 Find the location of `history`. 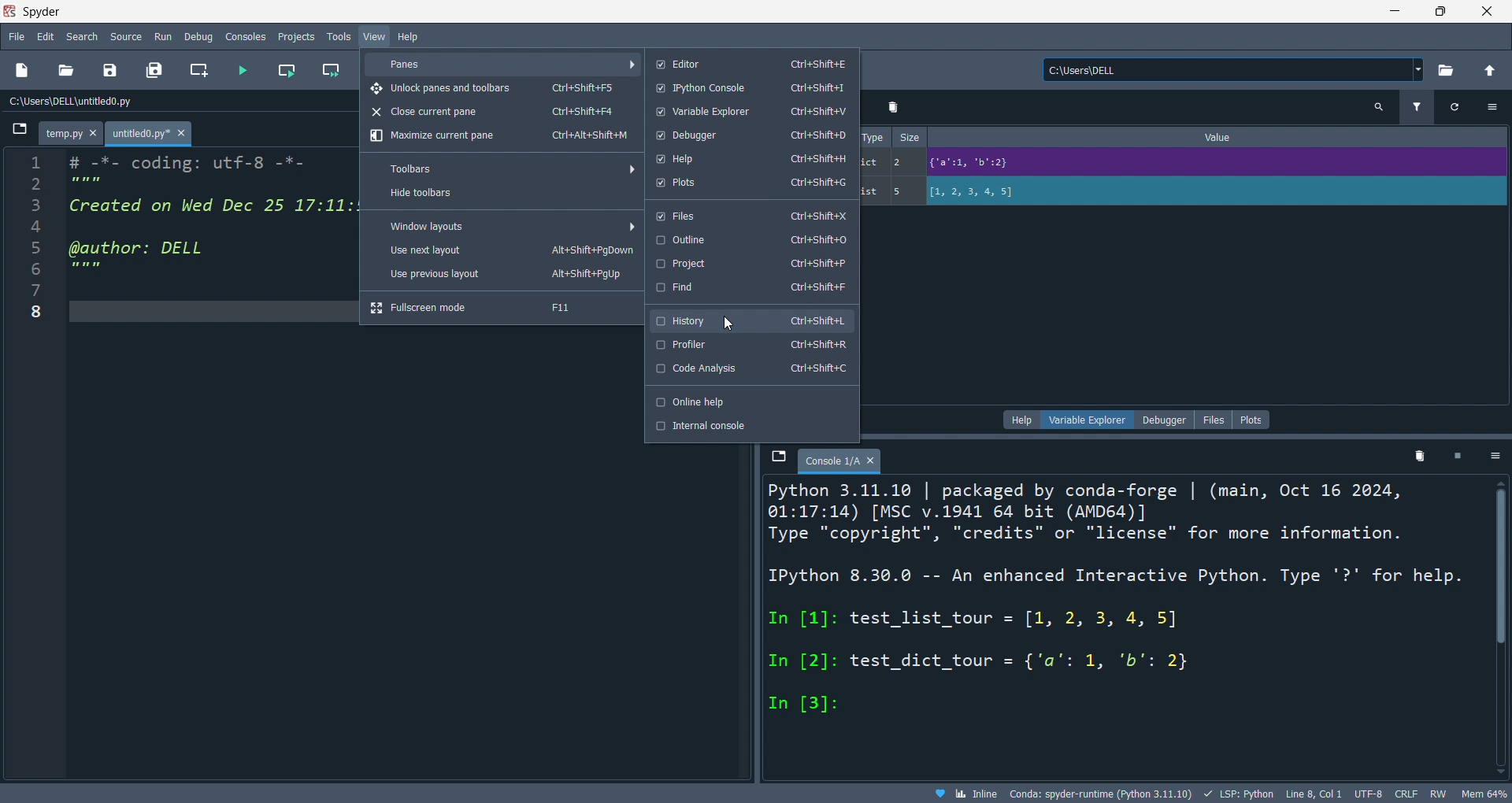

history is located at coordinates (749, 317).